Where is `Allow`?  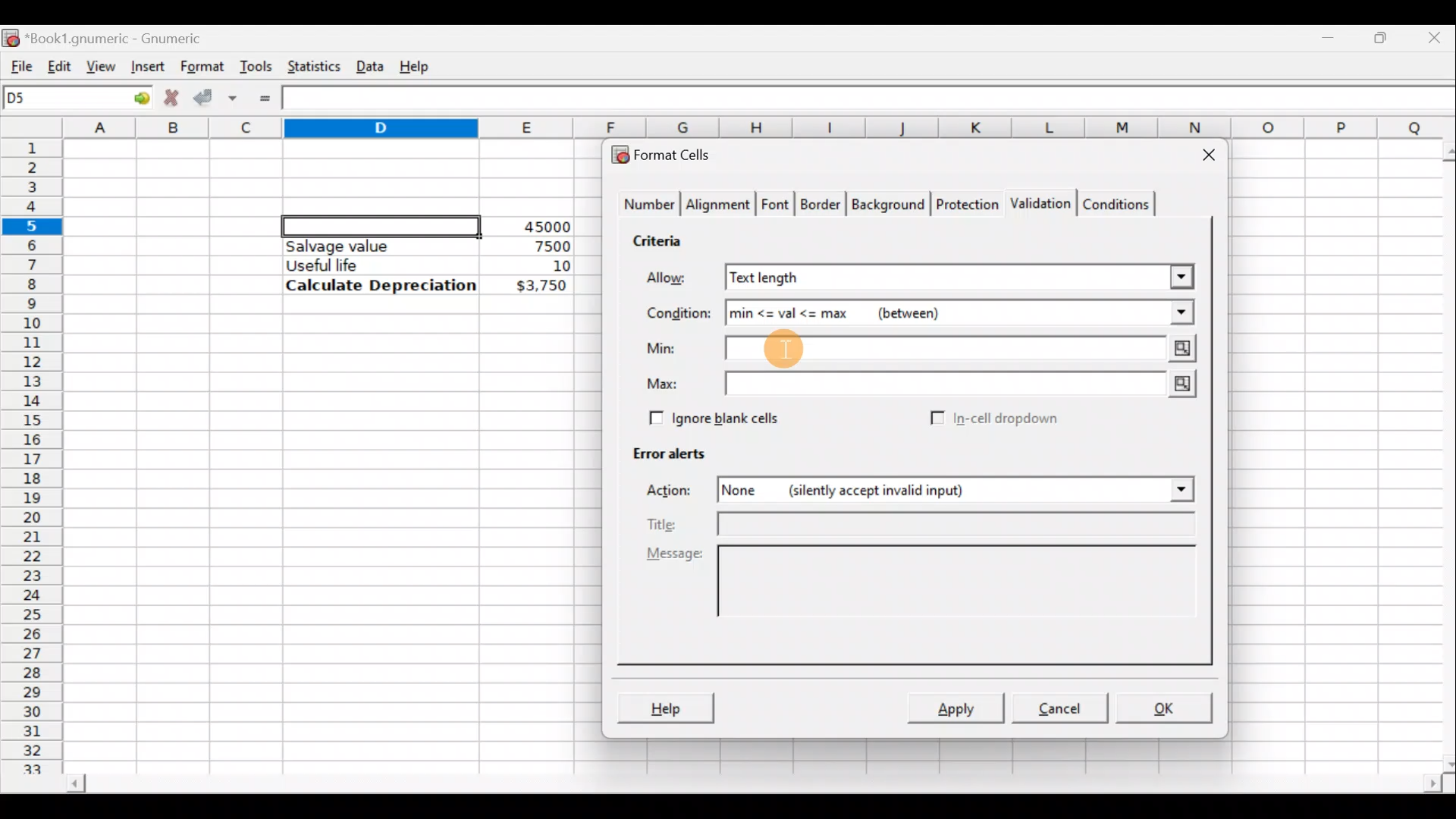 Allow is located at coordinates (677, 280).